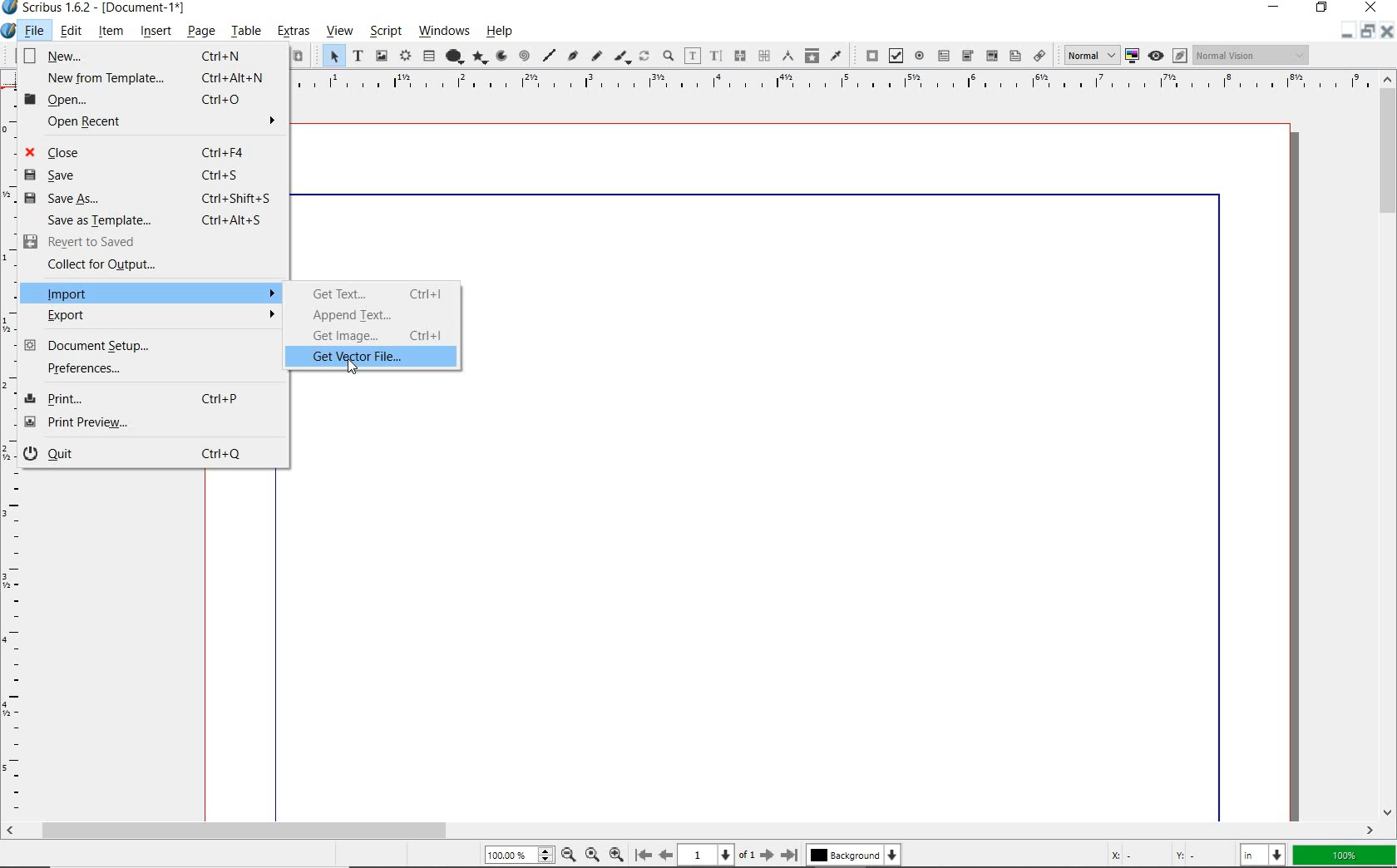  I want to click on arc, so click(505, 55).